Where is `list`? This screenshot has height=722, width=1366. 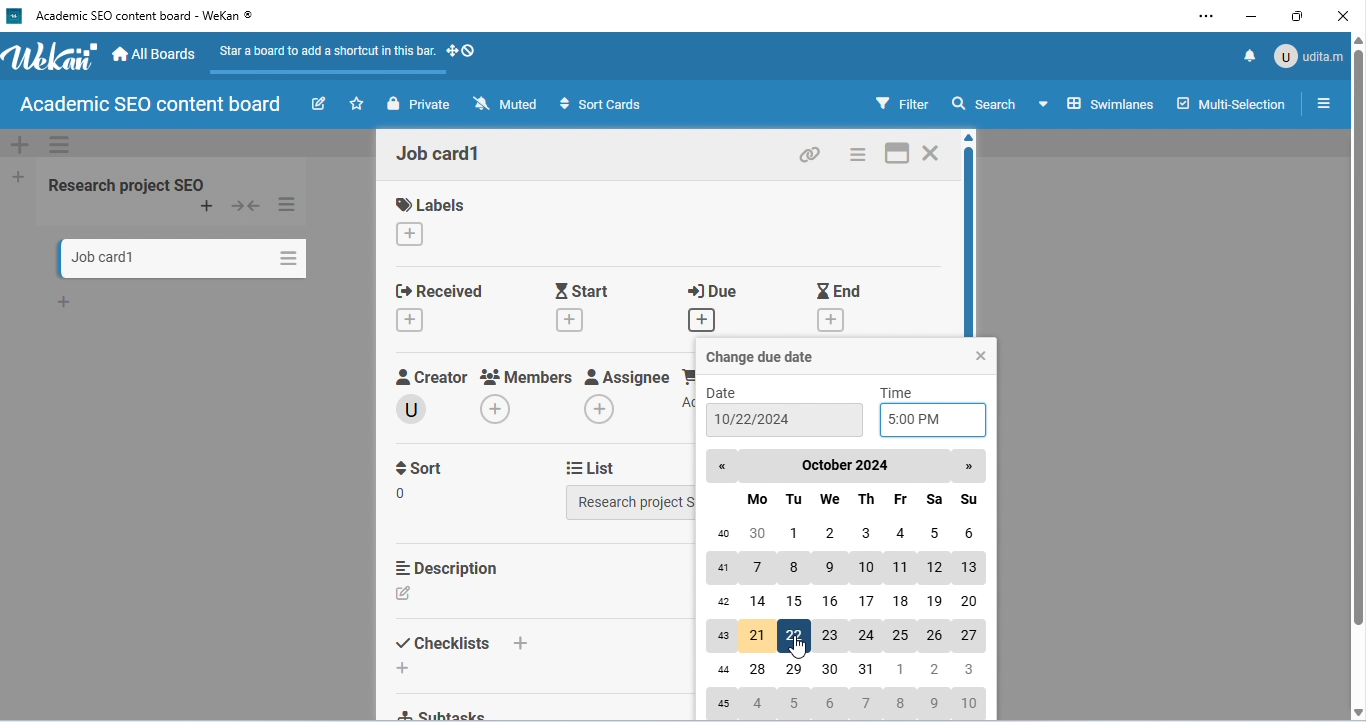 list is located at coordinates (597, 468).